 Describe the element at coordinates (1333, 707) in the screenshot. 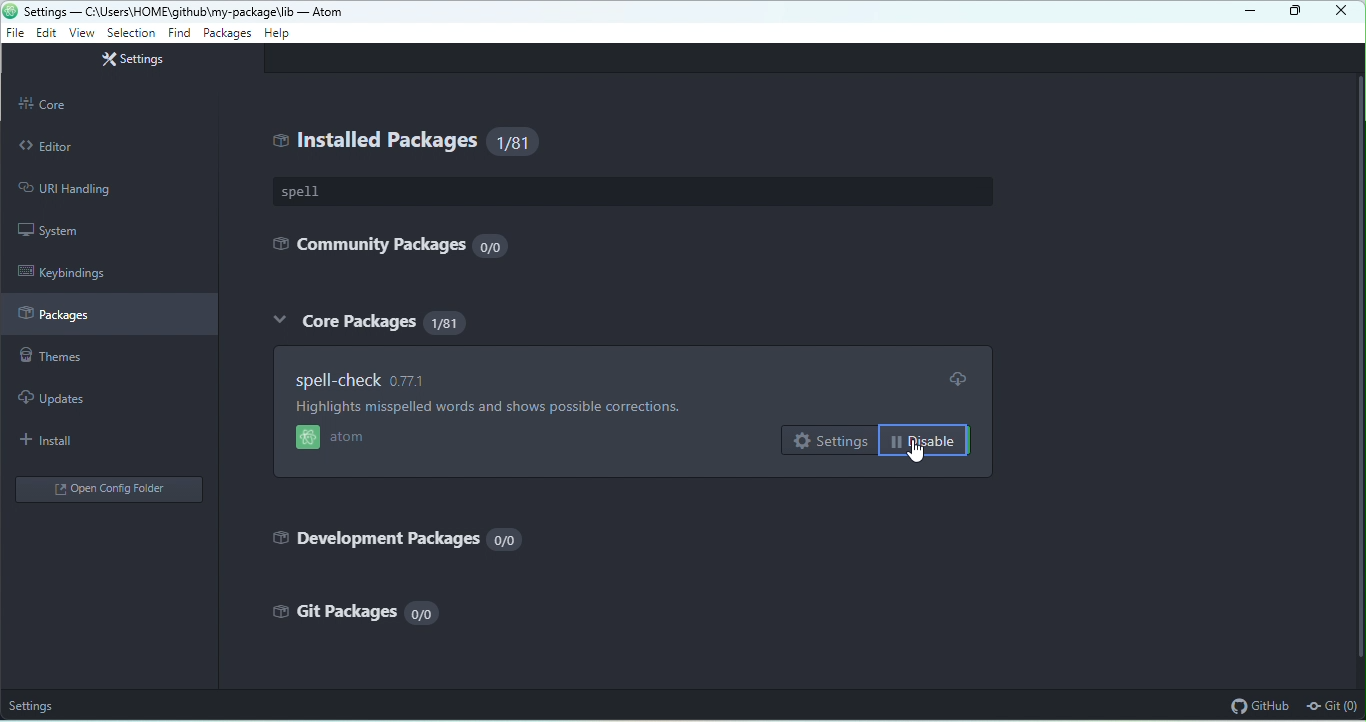

I see `git` at that location.